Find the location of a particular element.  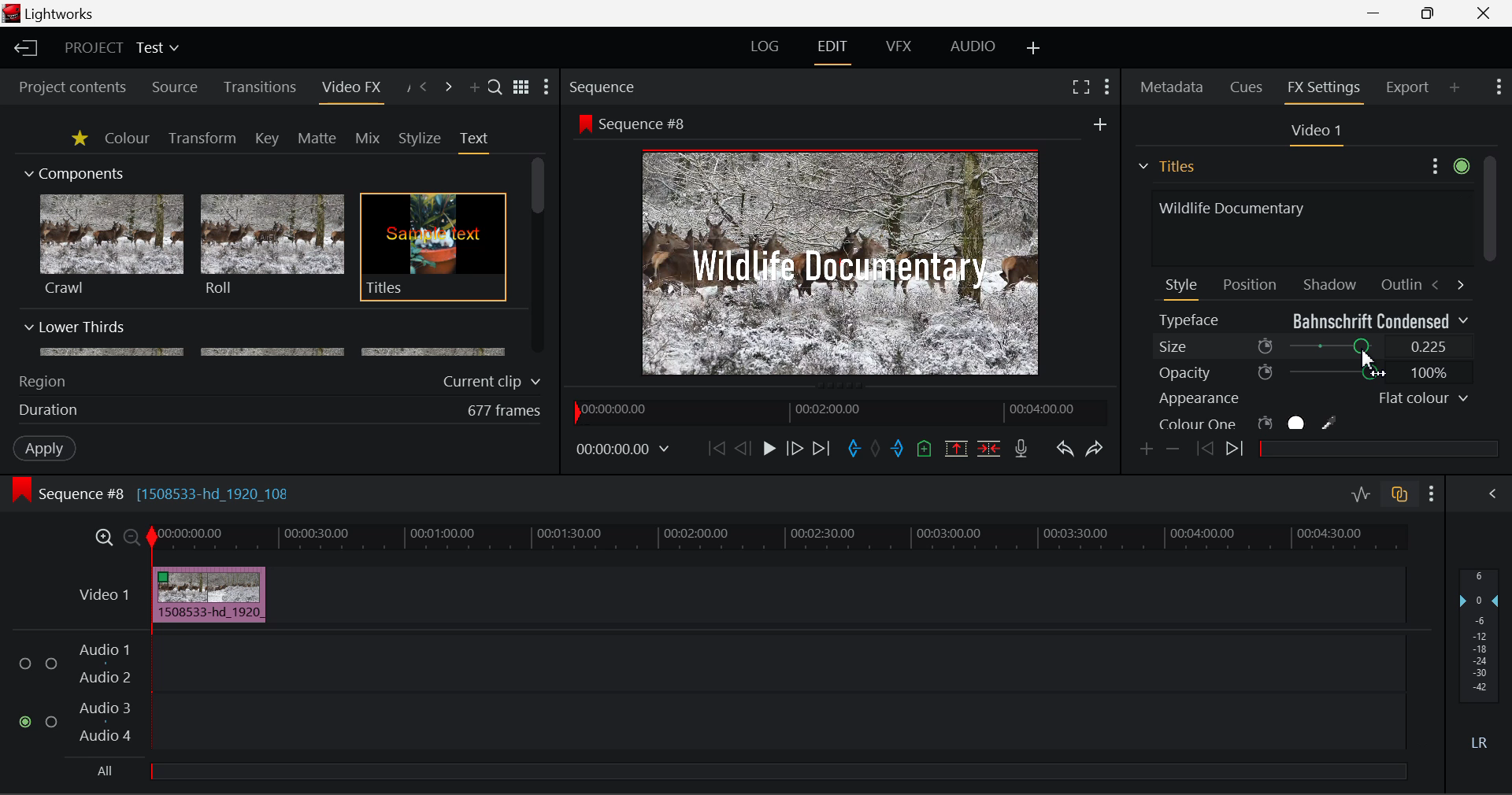

Remove keyframe is located at coordinates (1173, 451).